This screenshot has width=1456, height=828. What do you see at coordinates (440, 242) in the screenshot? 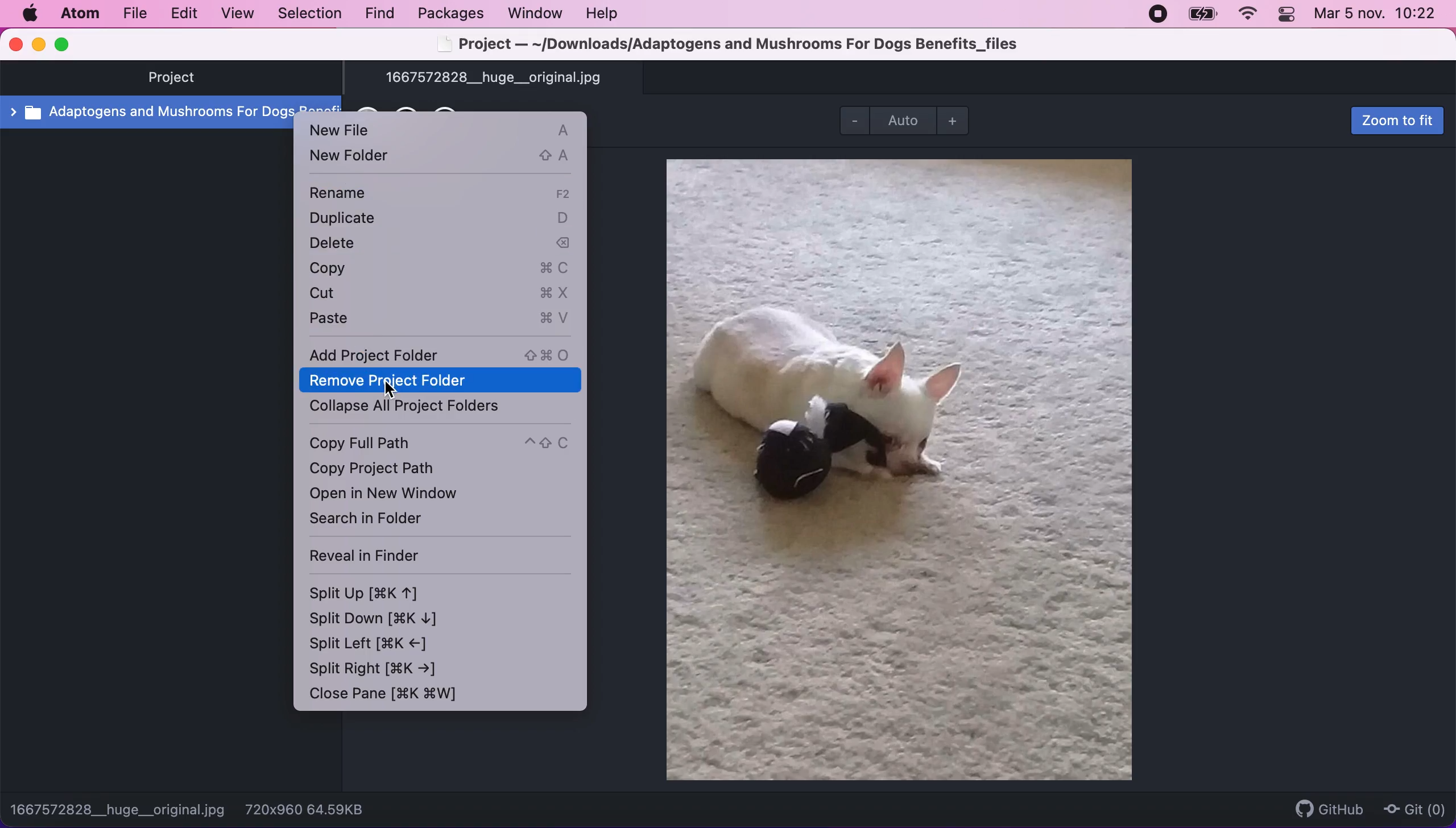
I see `delete` at bounding box center [440, 242].